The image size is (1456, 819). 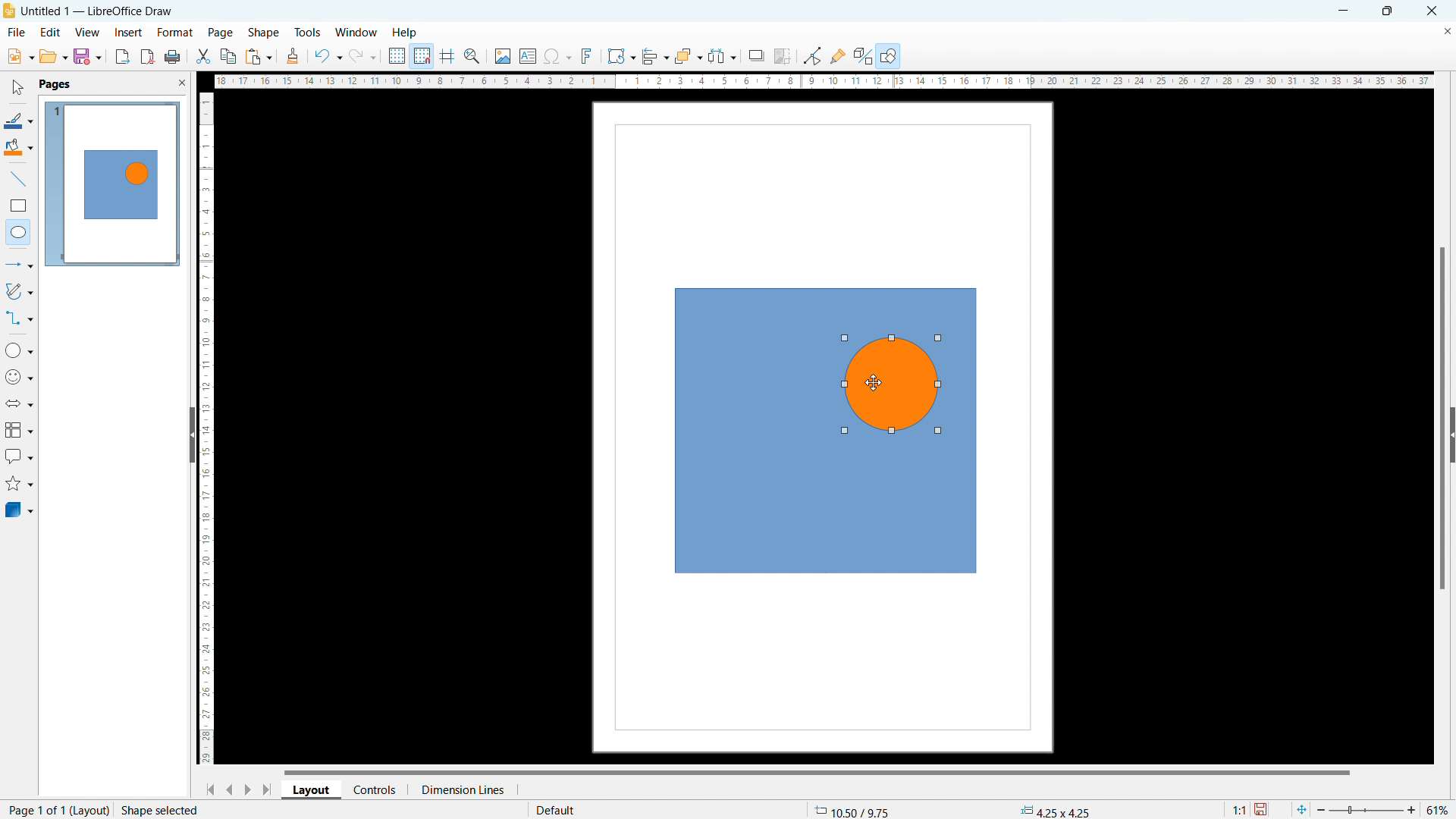 I want to click on print, so click(x=171, y=58).